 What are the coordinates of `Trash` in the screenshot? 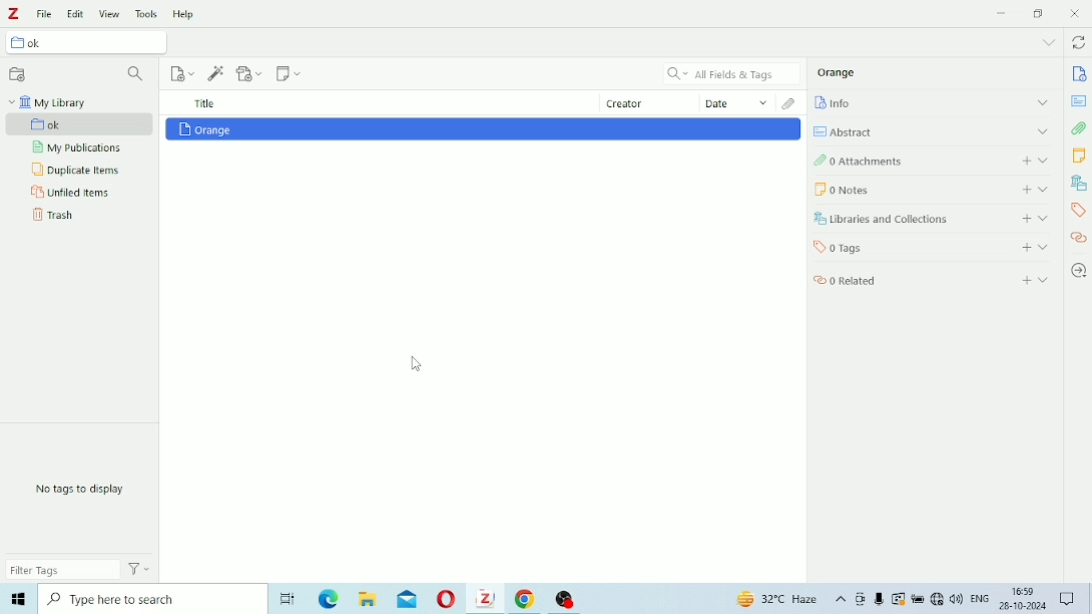 It's located at (53, 215).